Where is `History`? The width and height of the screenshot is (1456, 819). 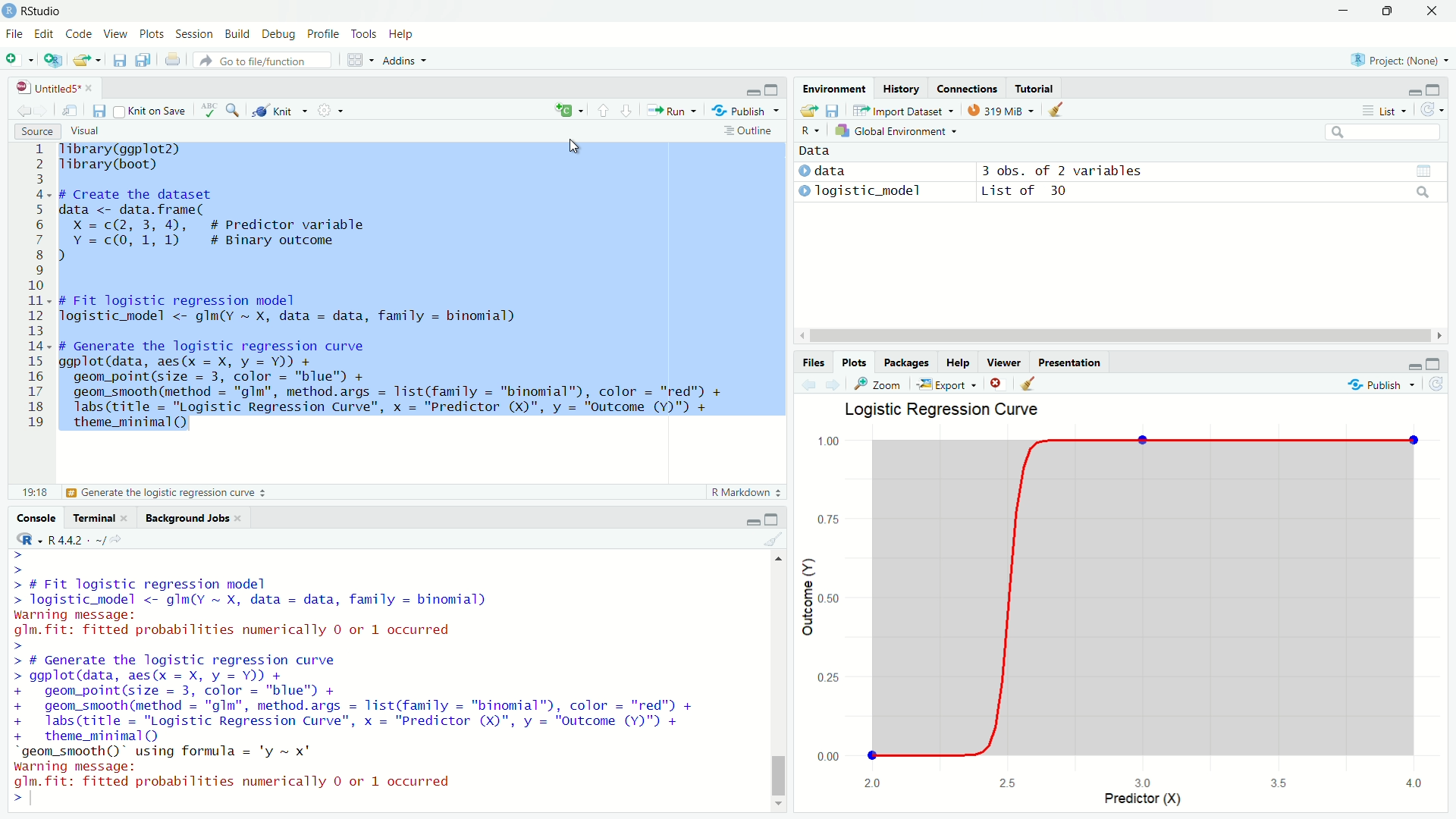 History is located at coordinates (902, 88).